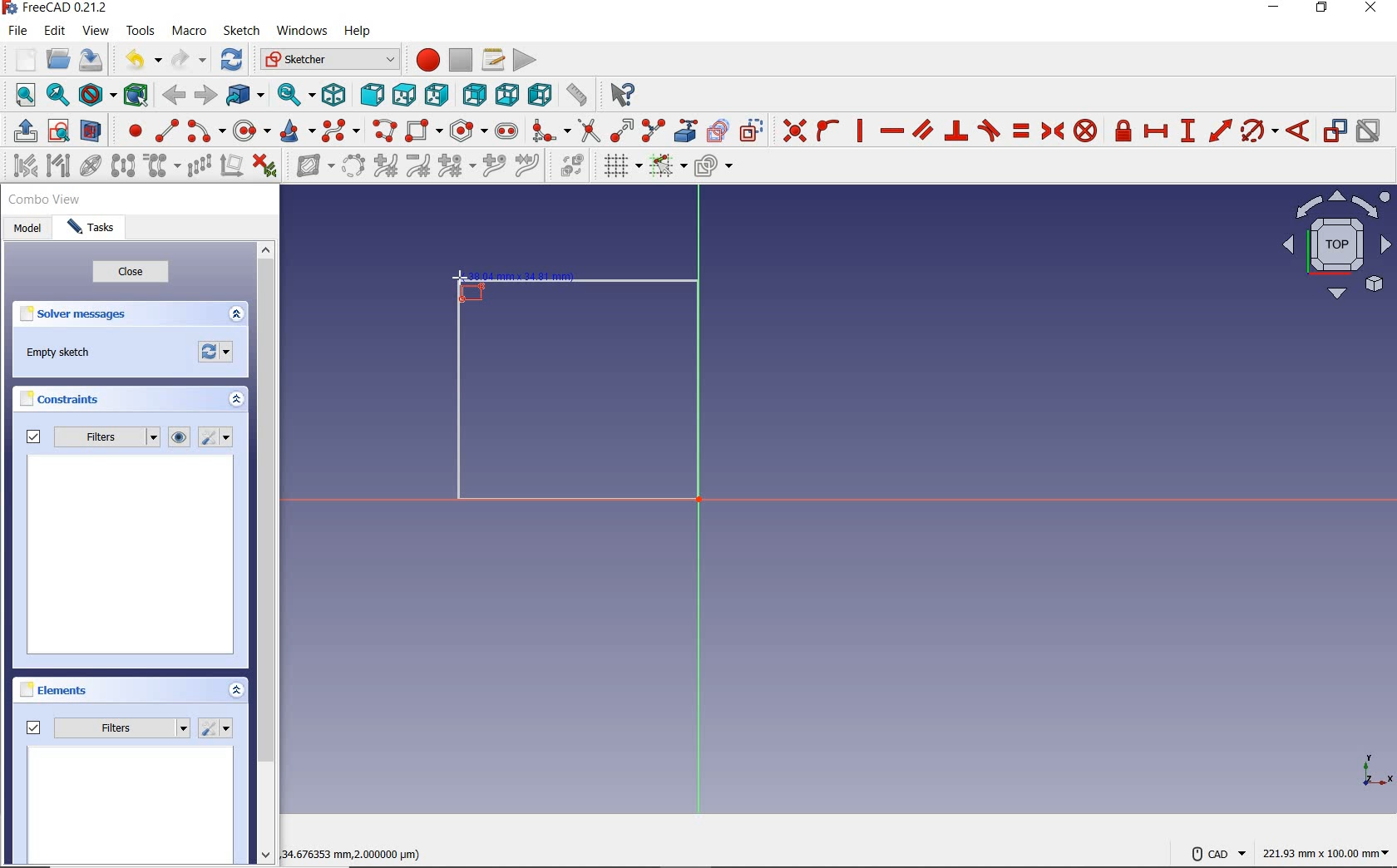 This screenshot has height=868, width=1397. Describe the element at coordinates (59, 165) in the screenshot. I see `select associated geometry` at that location.